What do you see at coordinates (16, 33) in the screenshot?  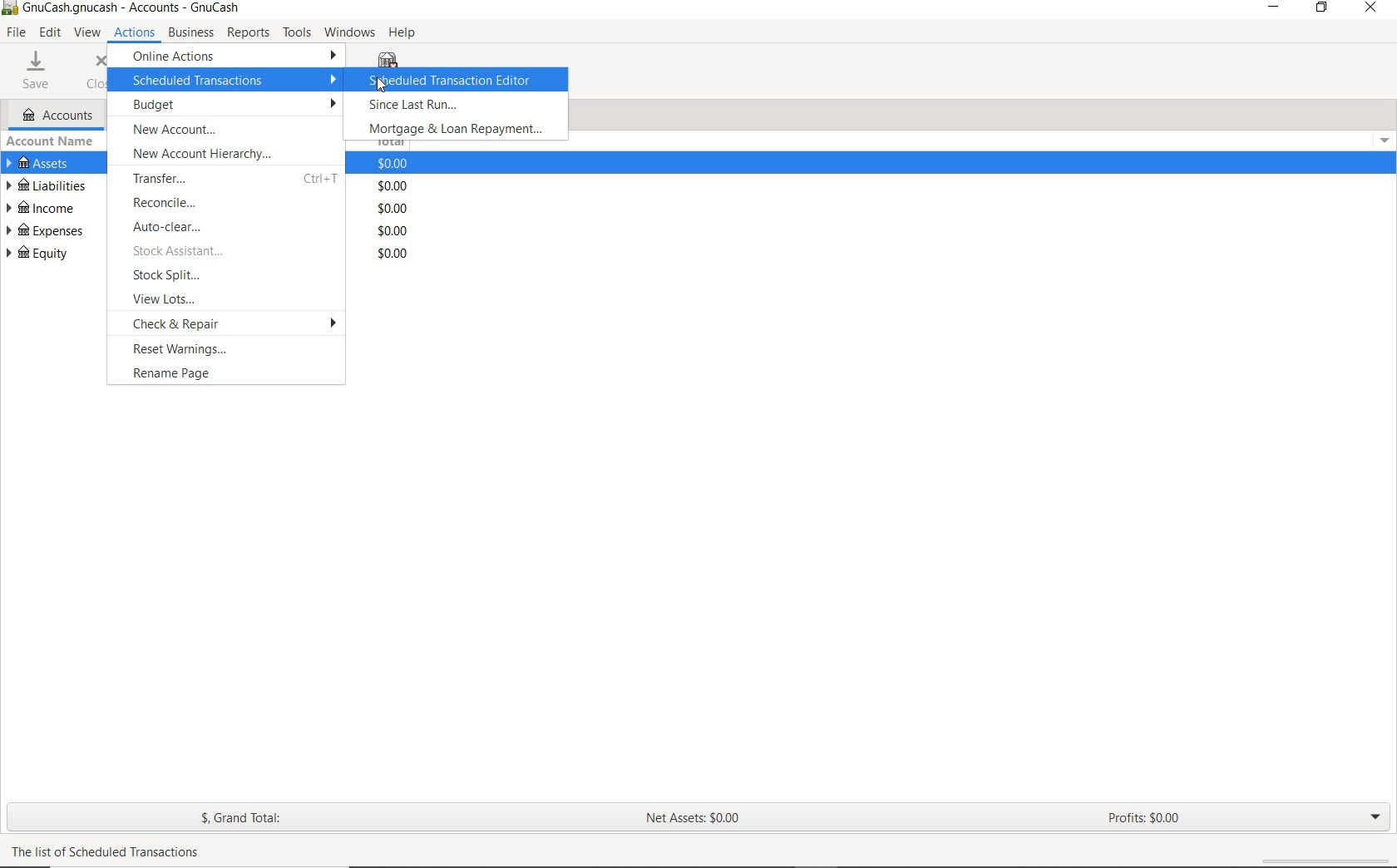 I see `FILE` at bounding box center [16, 33].